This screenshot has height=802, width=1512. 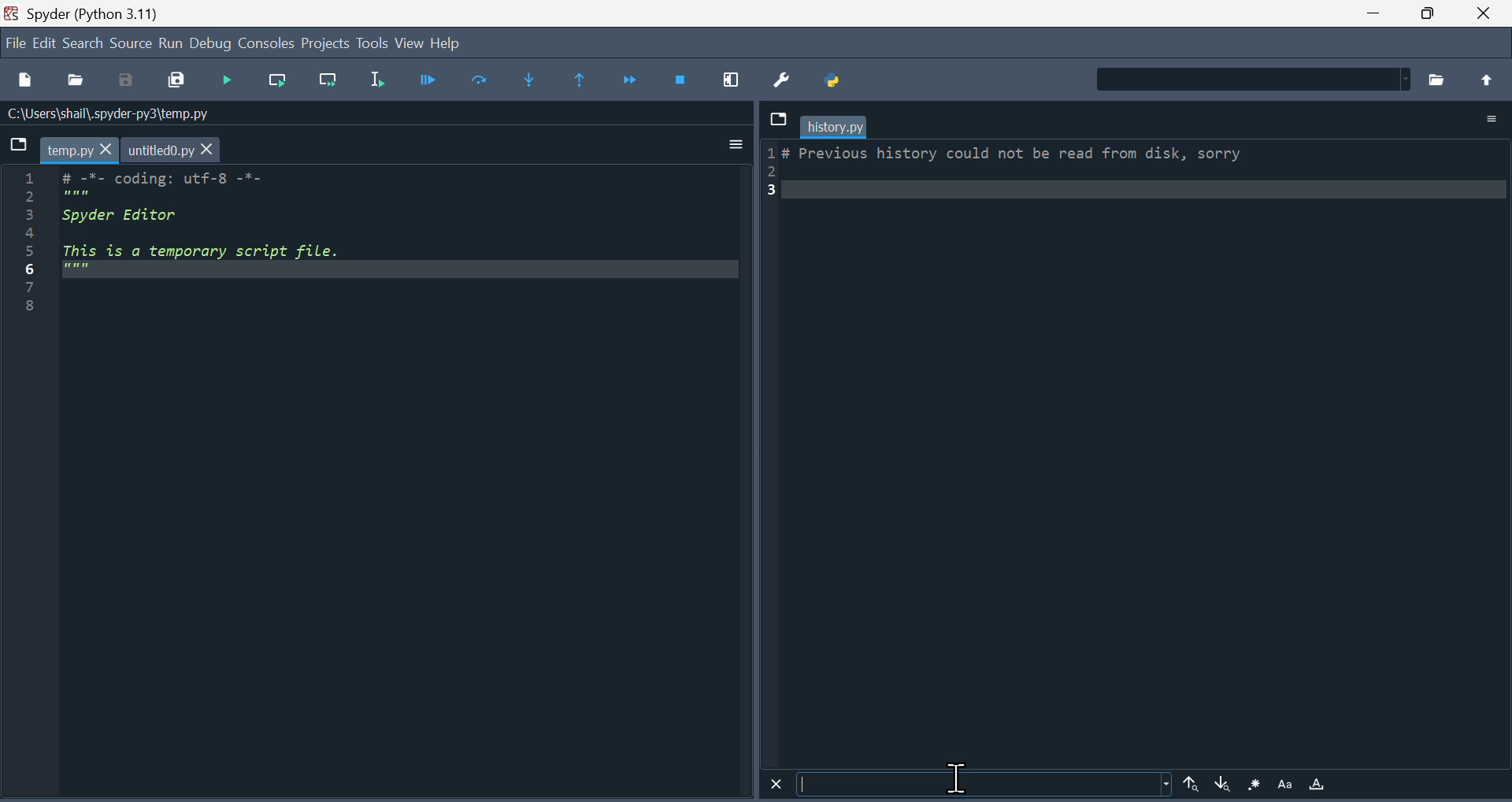 What do you see at coordinates (1223, 787) in the screenshot?
I see `Down arrow in search` at bounding box center [1223, 787].